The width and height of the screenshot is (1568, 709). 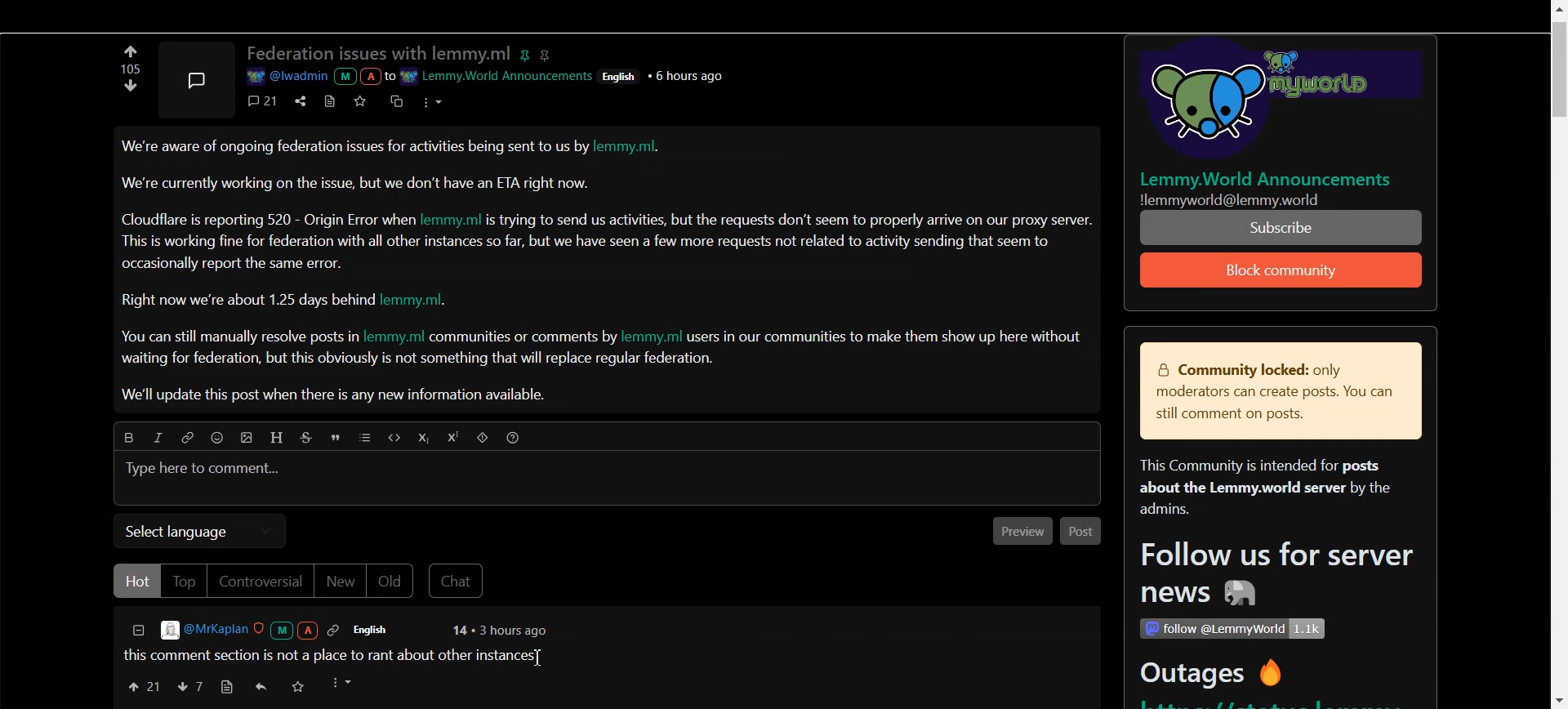 I want to click on properly arrive on our proxy server.
PE TEI SON TE WT, so click(x=1283, y=227).